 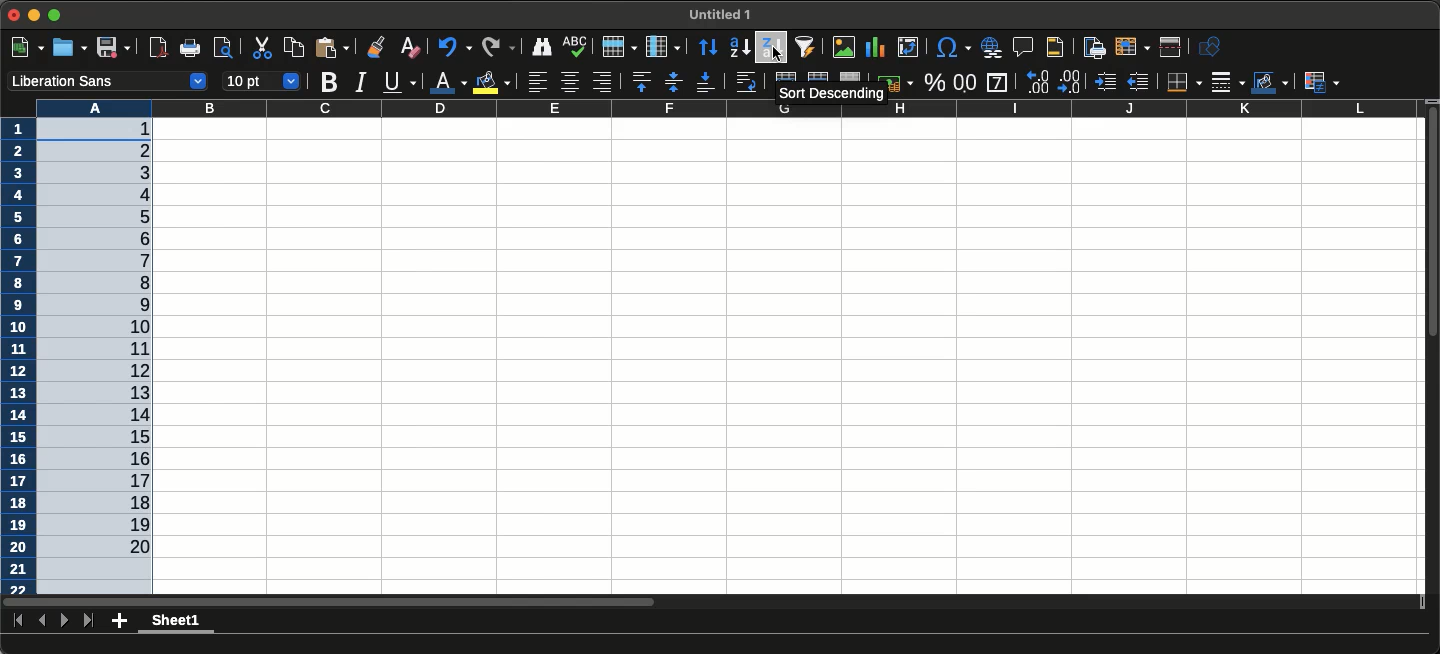 I want to click on Save, so click(x=114, y=46).